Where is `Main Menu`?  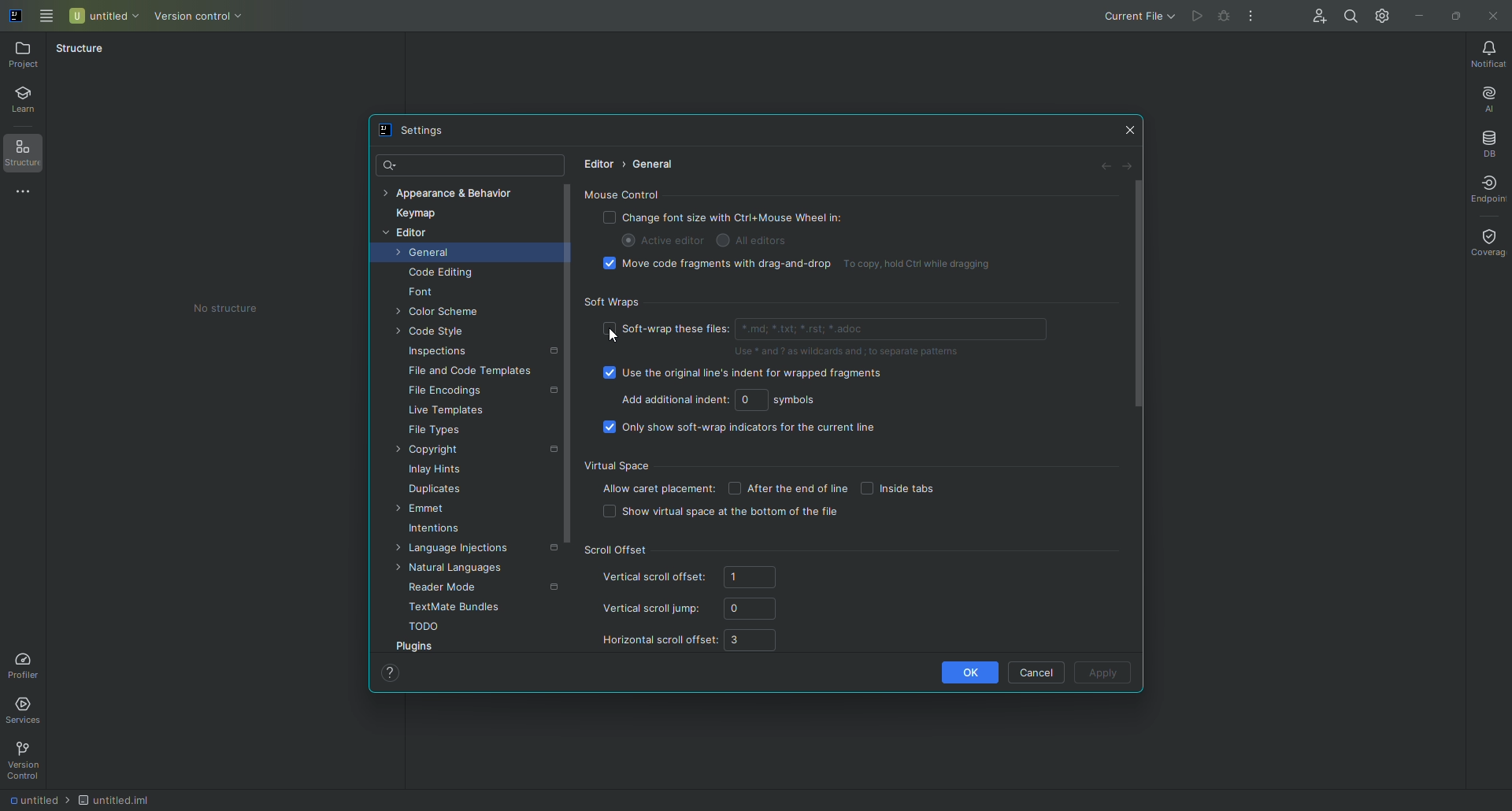 Main Menu is located at coordinates (50, 15).